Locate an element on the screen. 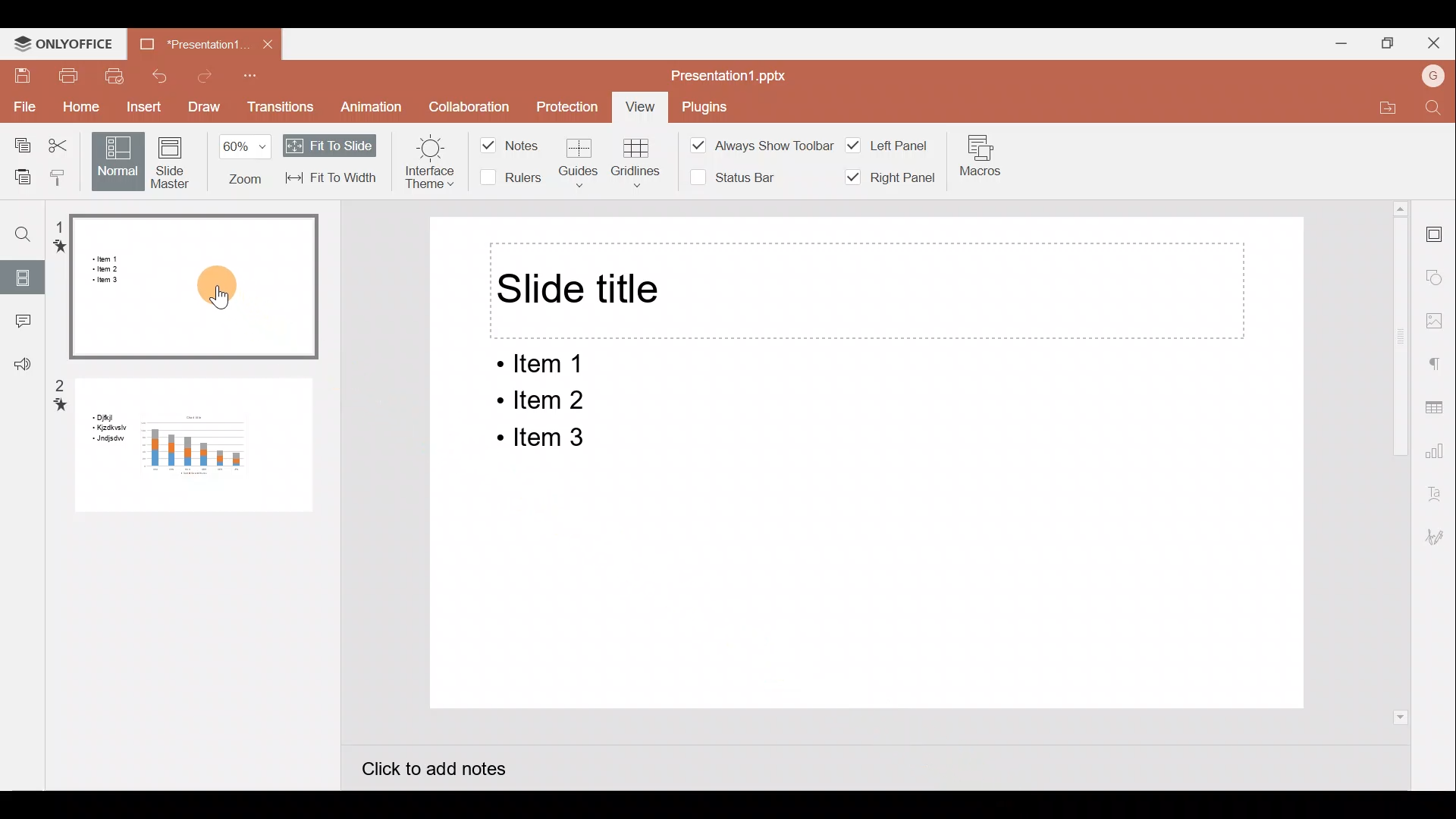 The height and width of the screenshot is (819, 1456). Paste is located at coordinates (21, 175).